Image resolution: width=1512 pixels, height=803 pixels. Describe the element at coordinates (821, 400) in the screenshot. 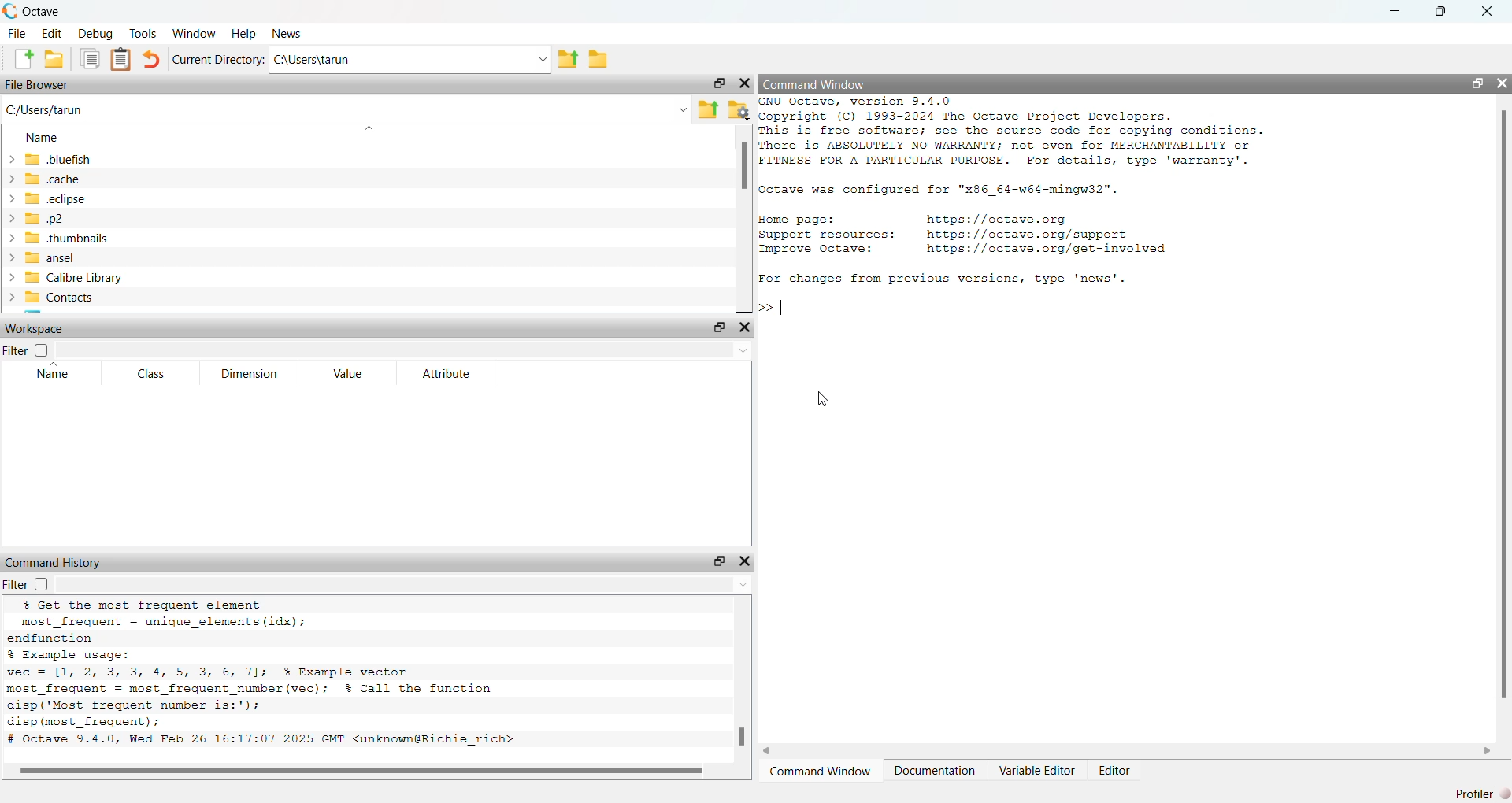

I see `cursor` at that location.